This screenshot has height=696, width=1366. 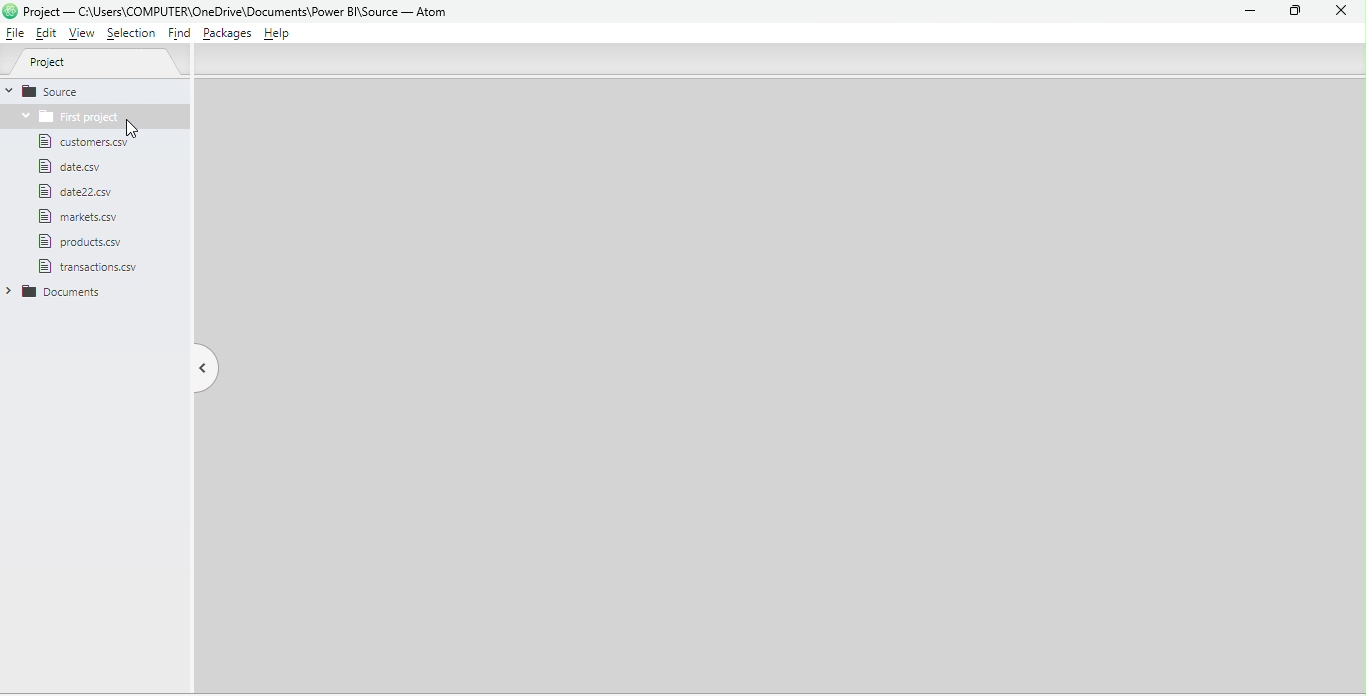 I want to click on Maximize, so click(x=1291, y=12).